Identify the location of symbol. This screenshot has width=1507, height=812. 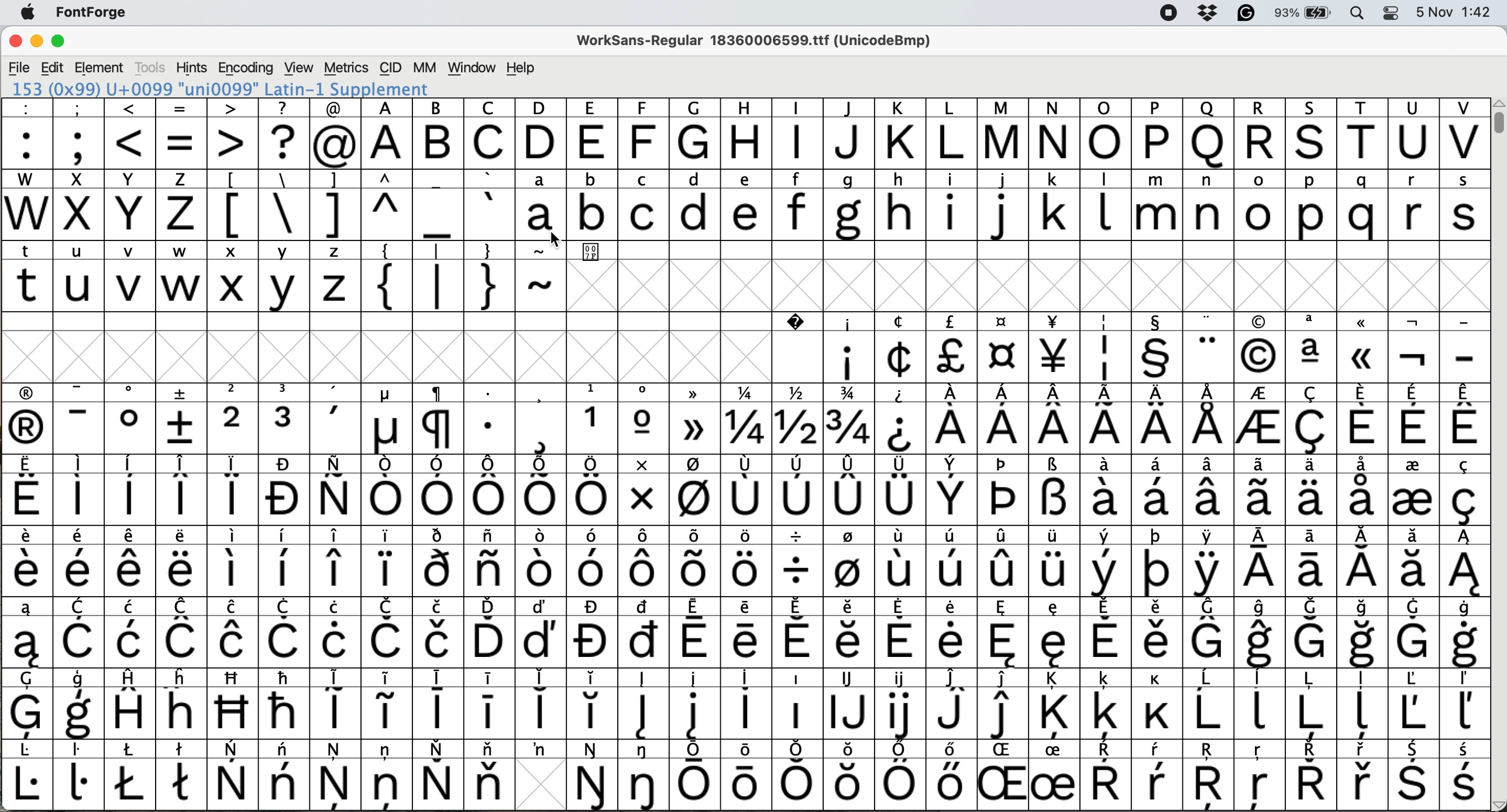
(849, 419).